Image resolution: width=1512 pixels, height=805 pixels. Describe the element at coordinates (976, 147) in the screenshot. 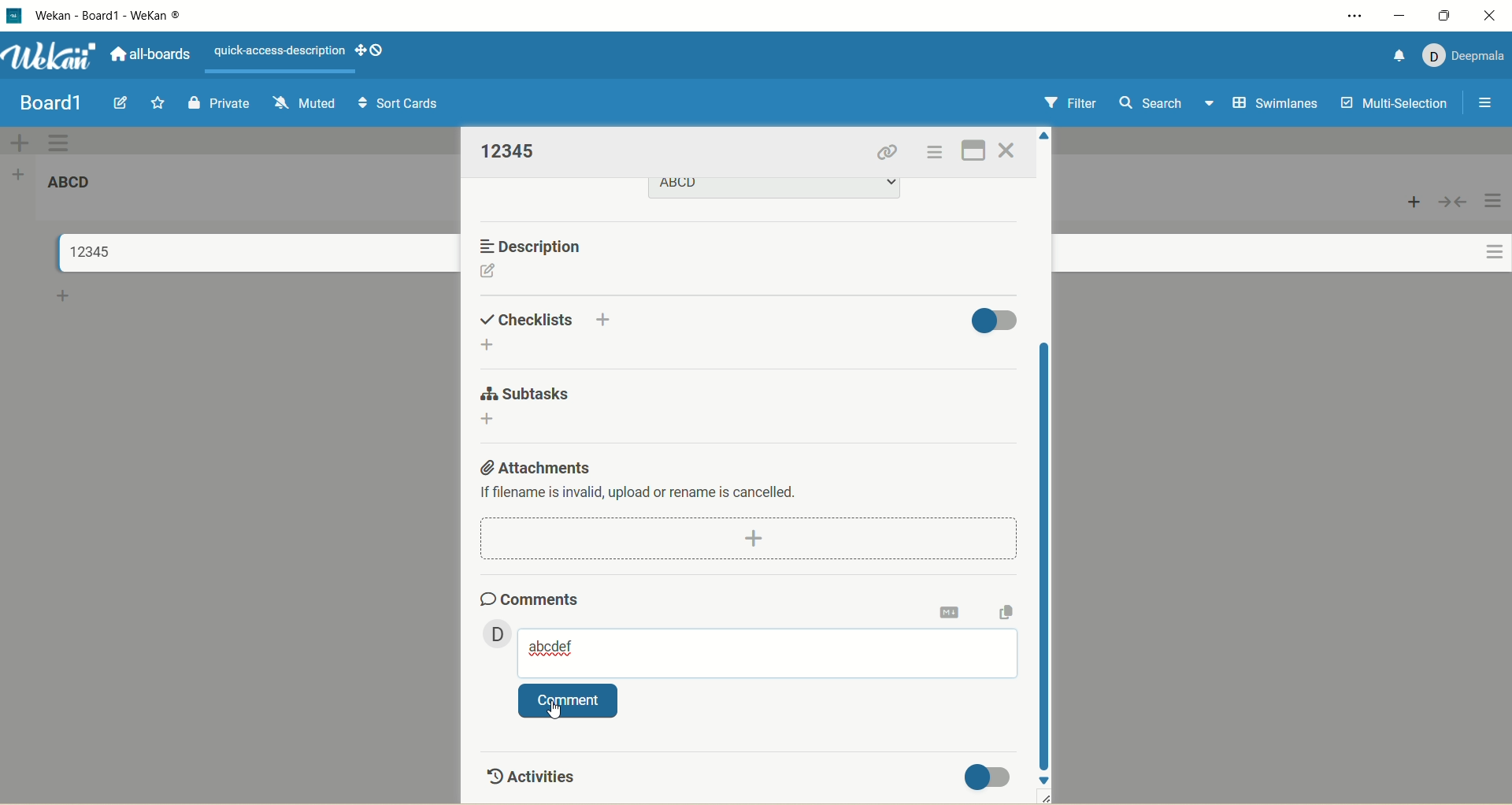

I see `full screen` at that location.